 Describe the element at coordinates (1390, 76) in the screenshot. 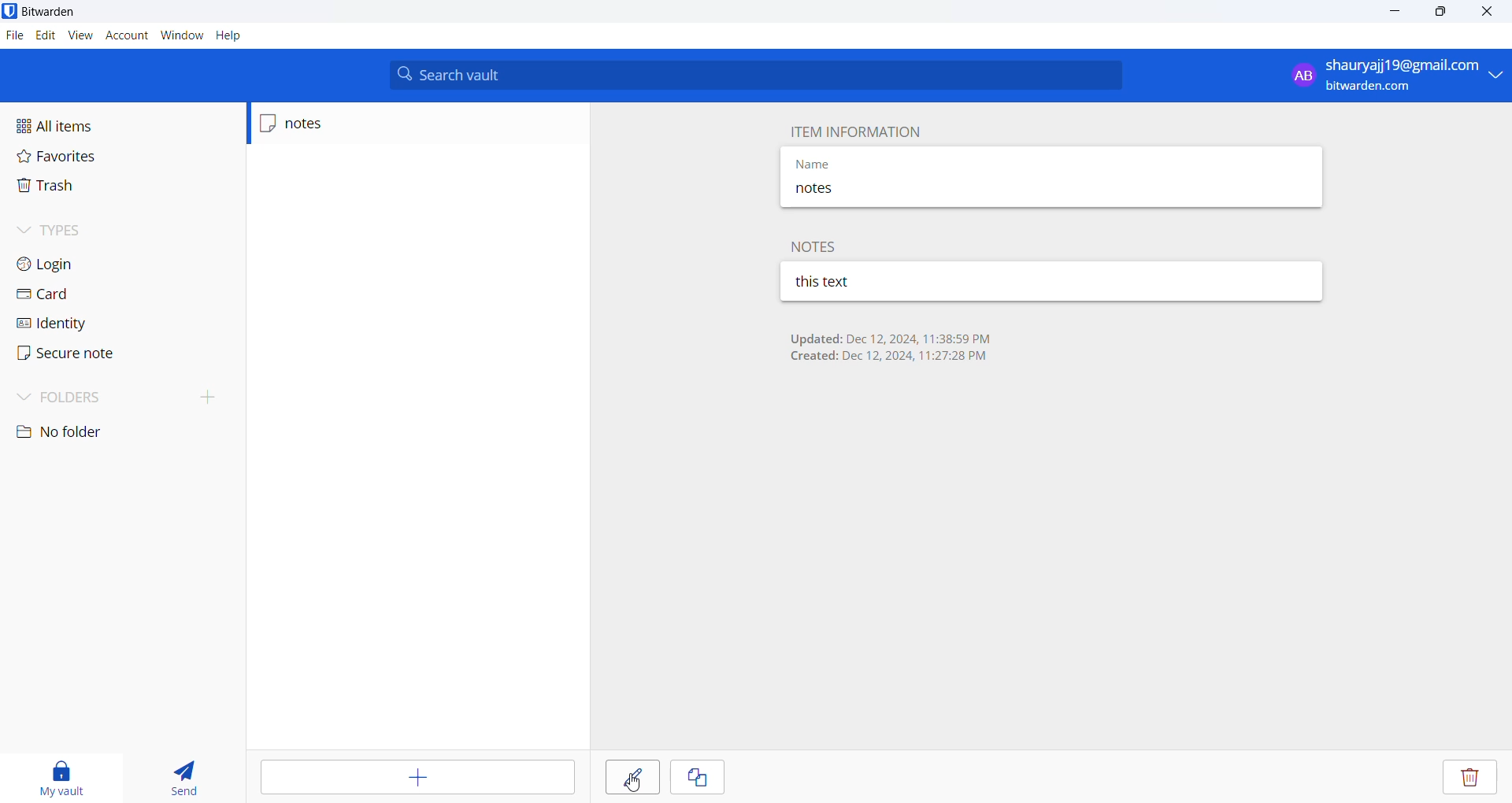

I see `shauryaji19@gmail.com bitwarden.com` at that location.